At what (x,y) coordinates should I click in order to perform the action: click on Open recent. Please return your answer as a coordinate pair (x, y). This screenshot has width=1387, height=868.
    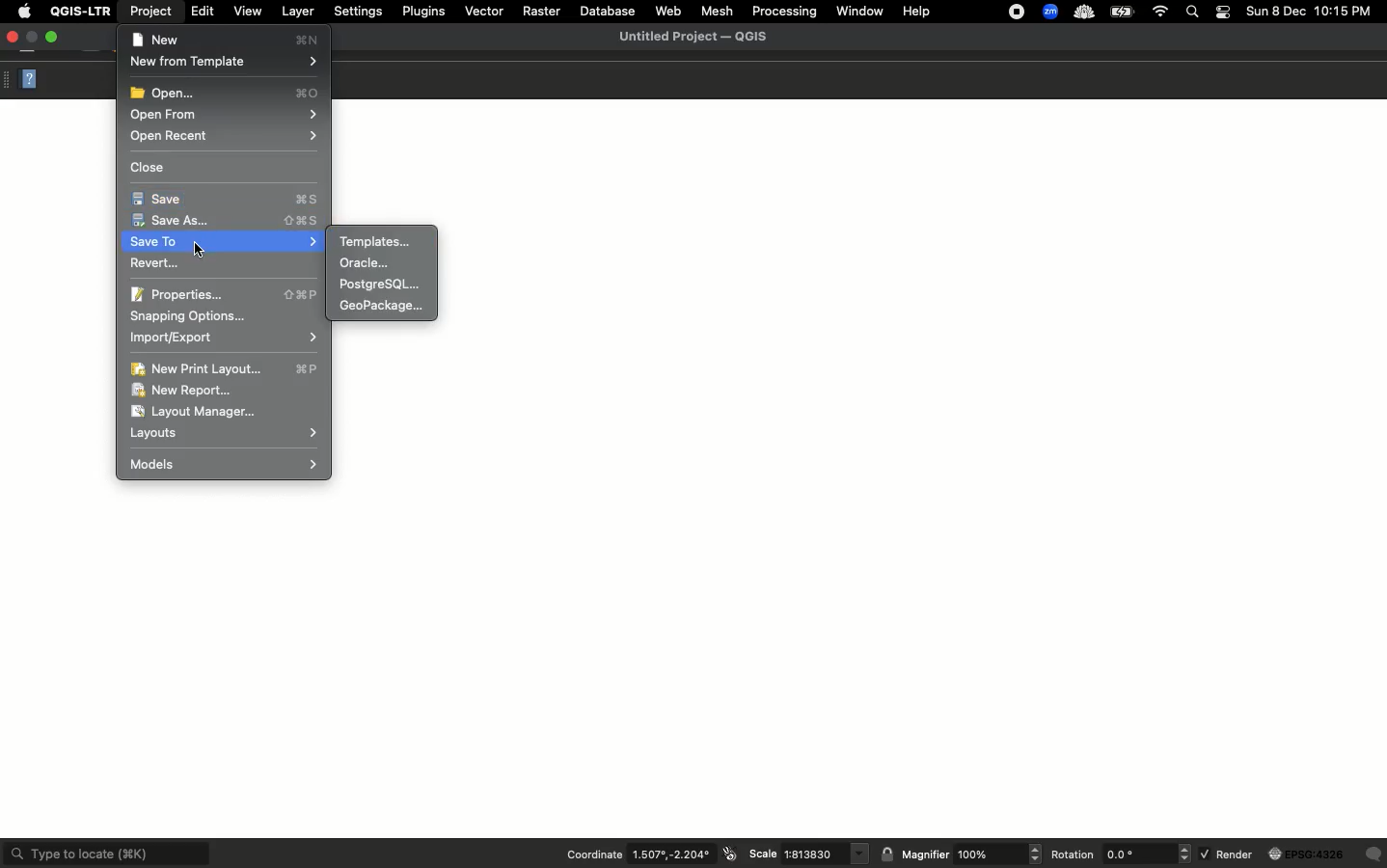
    Looking at the image, I should click on (227, 137).